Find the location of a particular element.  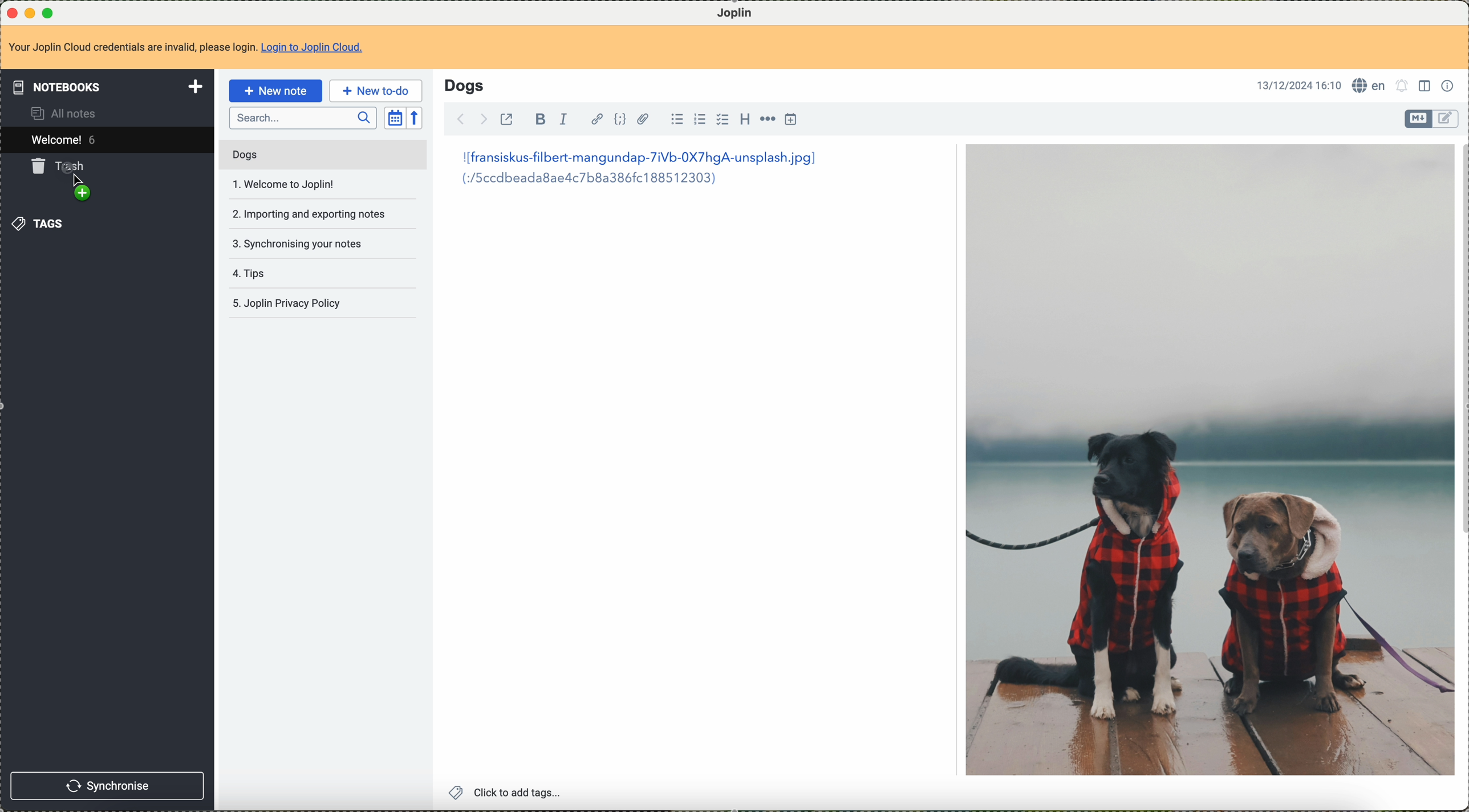

maximize is located at coordinates (48, 11).